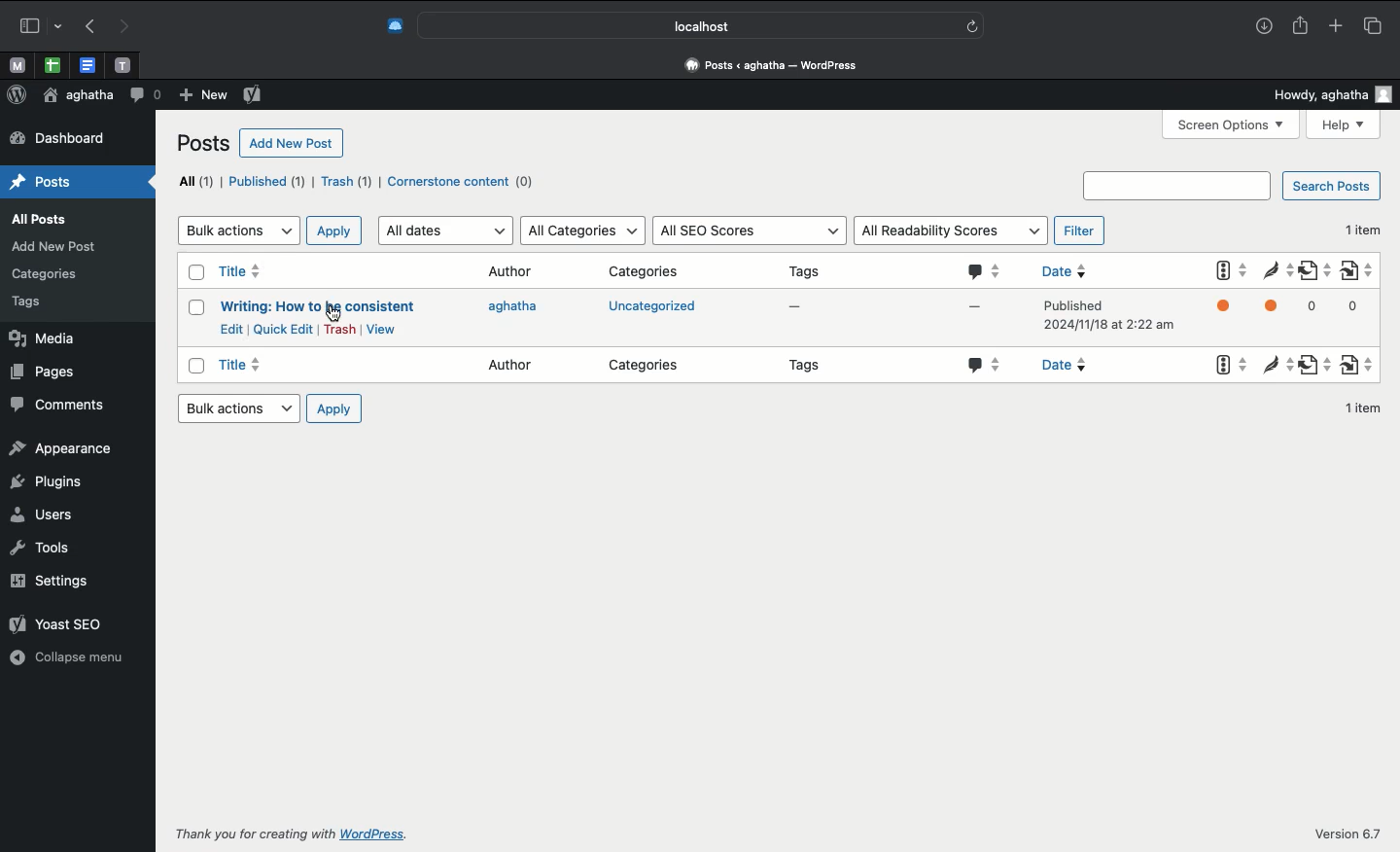 Image resolution: width=1400 pixels, height=852 pixels. I want to click on Filter, so click(1081, 231).